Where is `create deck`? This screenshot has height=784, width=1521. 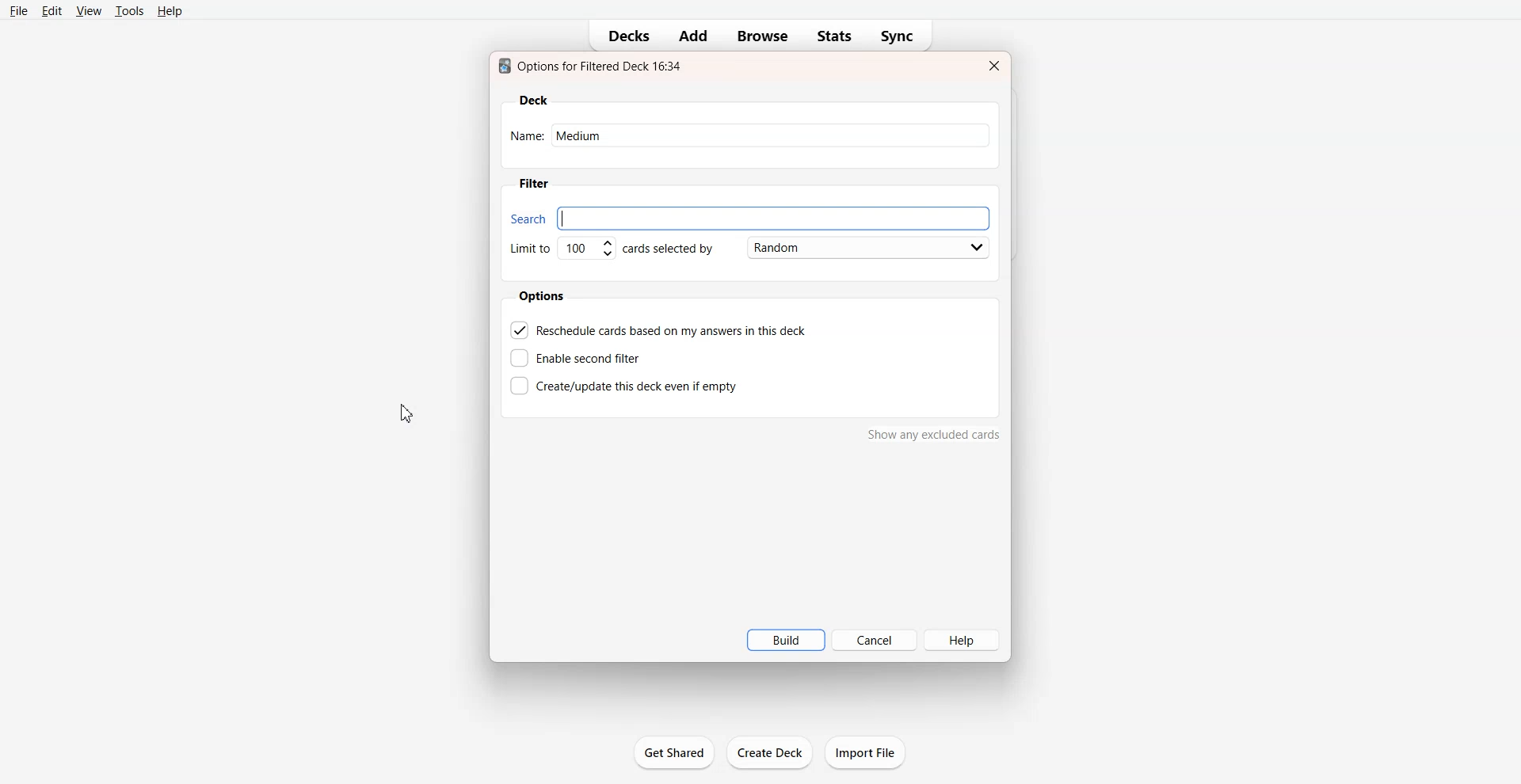 create deck is located at coordinates (774, 753).